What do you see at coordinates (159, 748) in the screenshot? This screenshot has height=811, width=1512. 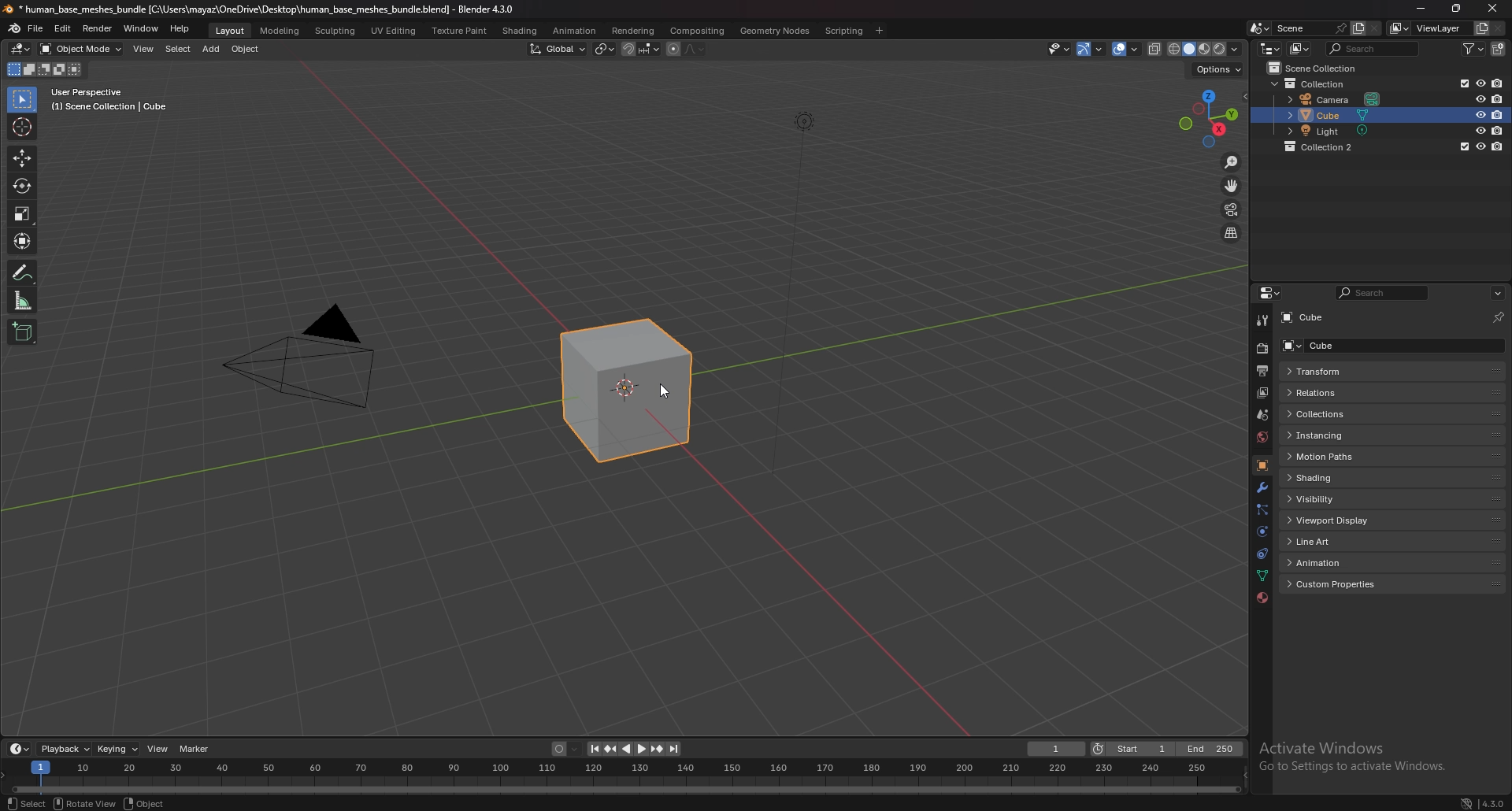 I see `view` at bounding box center [159, 748].